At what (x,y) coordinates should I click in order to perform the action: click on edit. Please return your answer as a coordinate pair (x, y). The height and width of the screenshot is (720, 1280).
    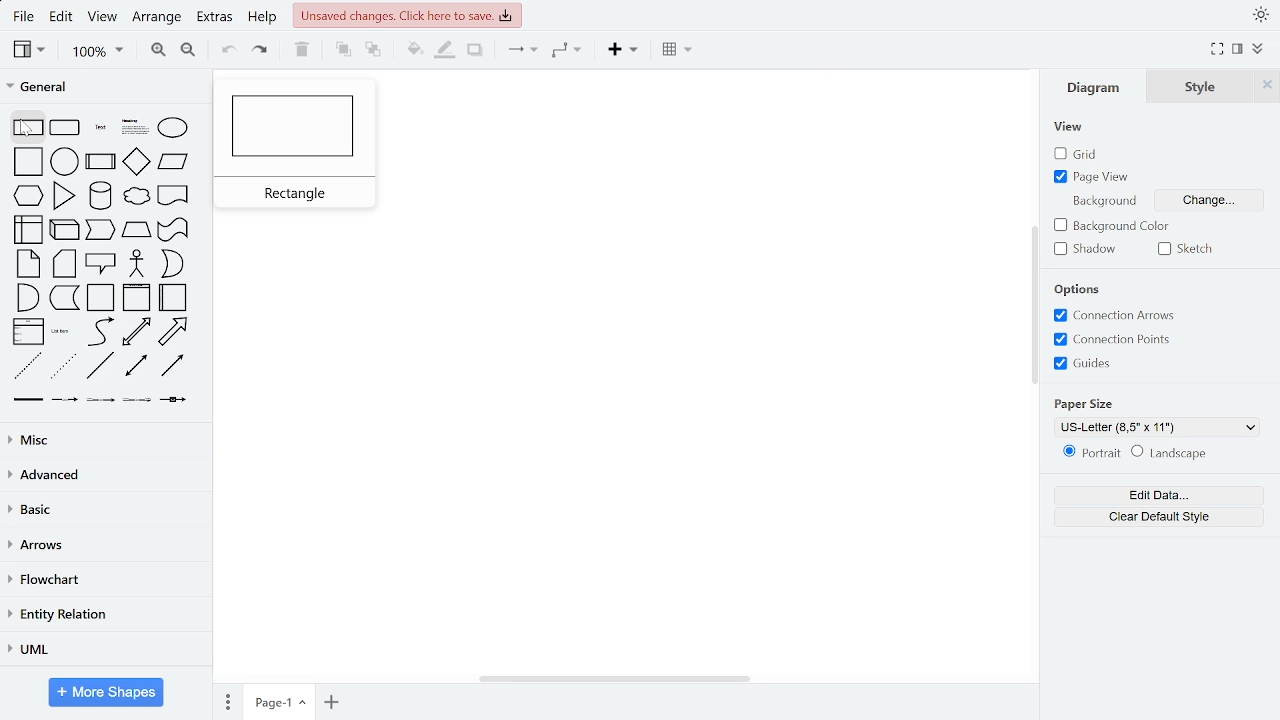
    Looking at the image, I should click on (62, 17).